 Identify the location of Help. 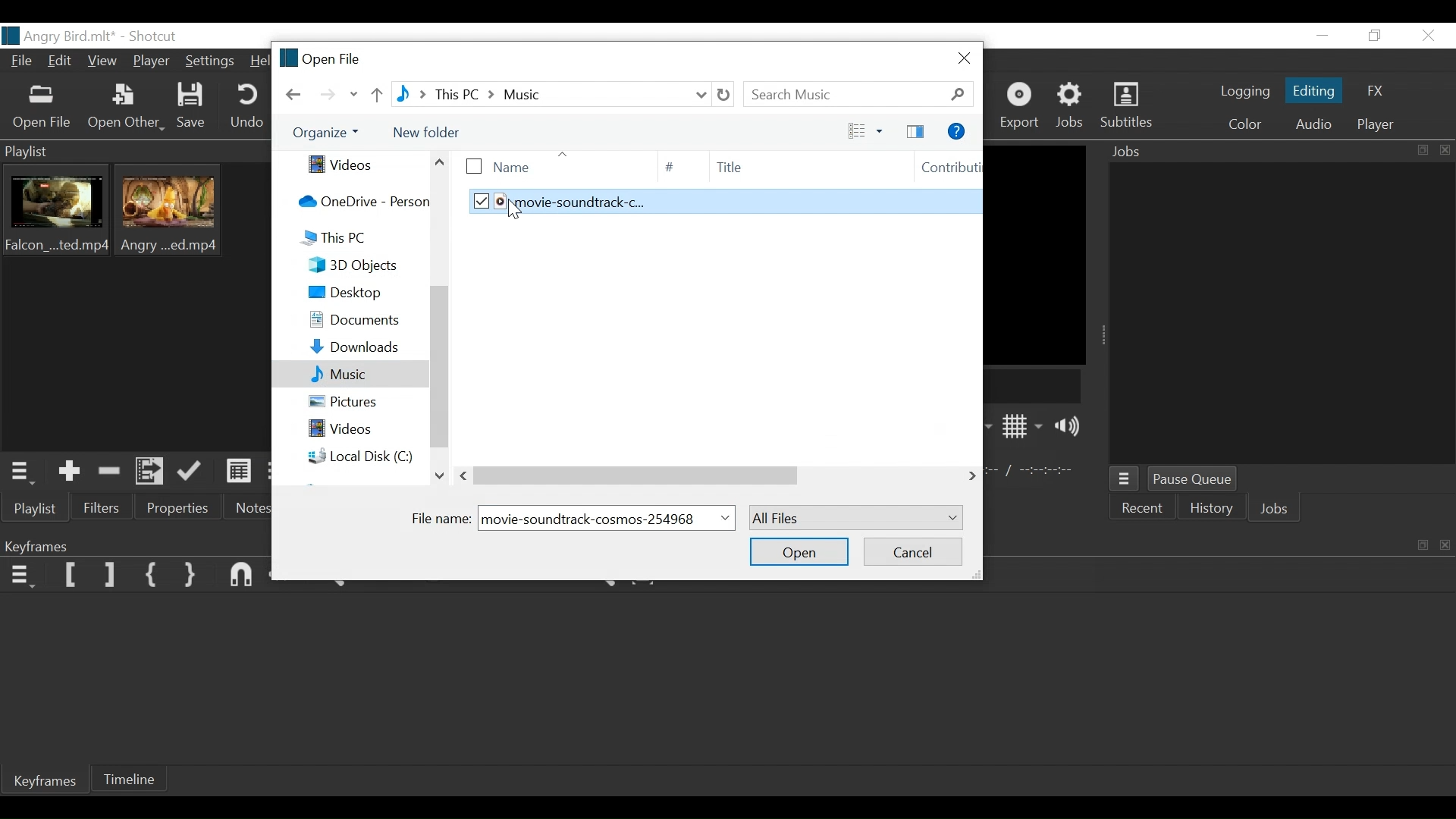
(957, 130).